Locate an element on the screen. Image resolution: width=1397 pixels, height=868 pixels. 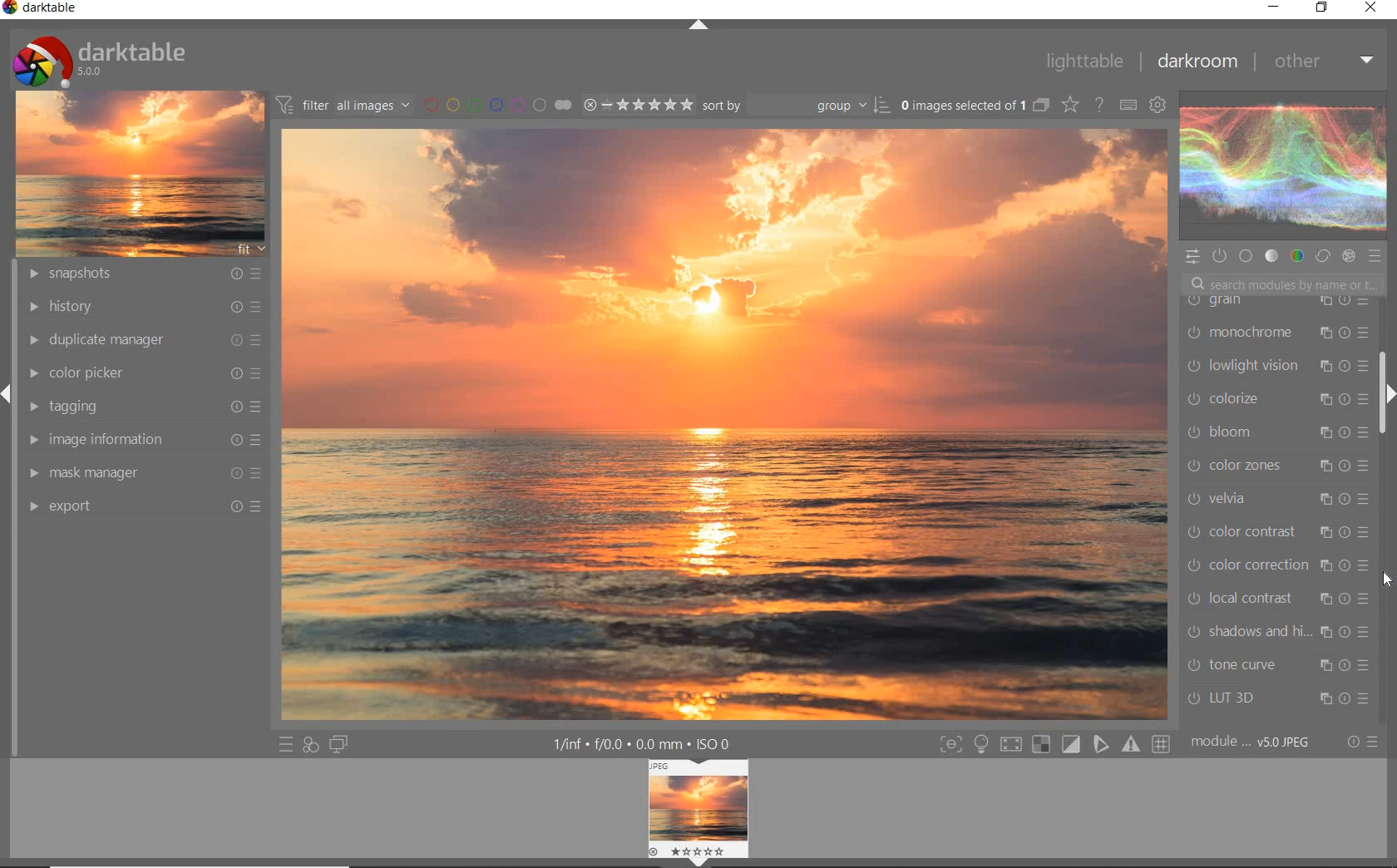
SORT is located at coordinates (795, 106).